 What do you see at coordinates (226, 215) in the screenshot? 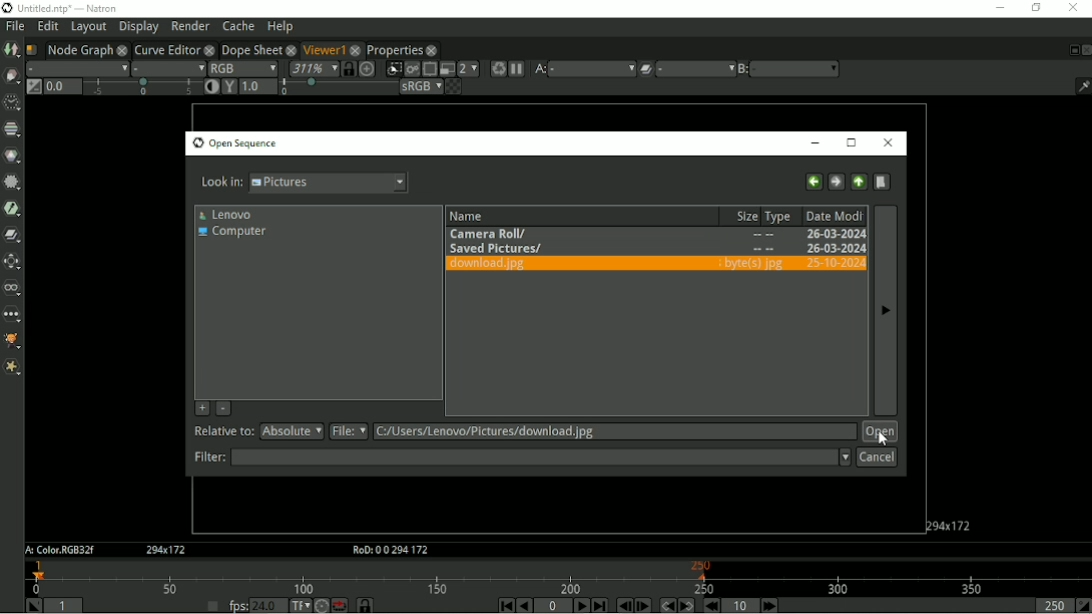
I see `Lenovo` at bounding box center [226, 215].